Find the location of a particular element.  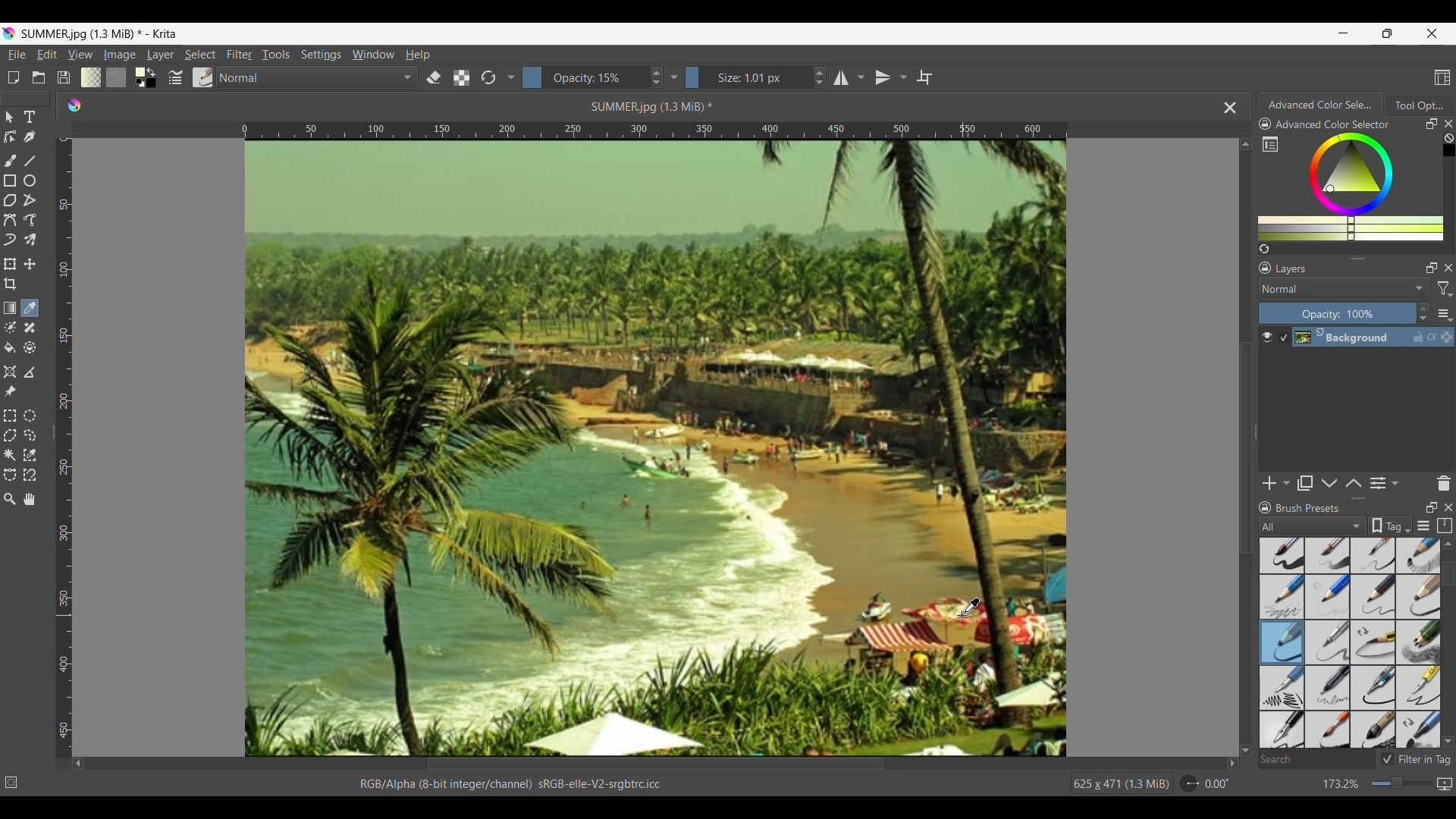

Current mapping is located at coordinates (1445, 784).